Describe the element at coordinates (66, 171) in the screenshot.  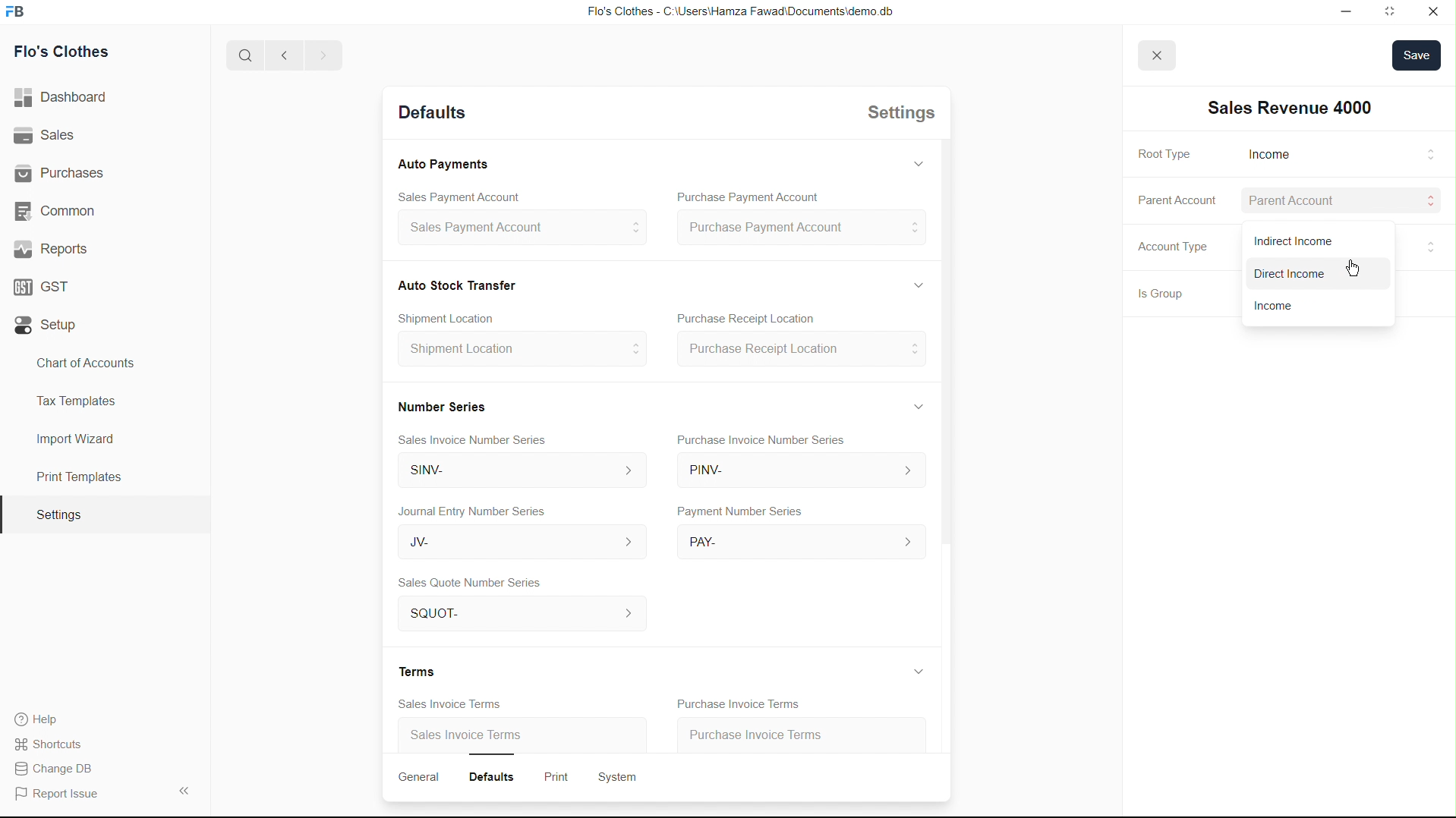
I see `| Purchases` at that location.